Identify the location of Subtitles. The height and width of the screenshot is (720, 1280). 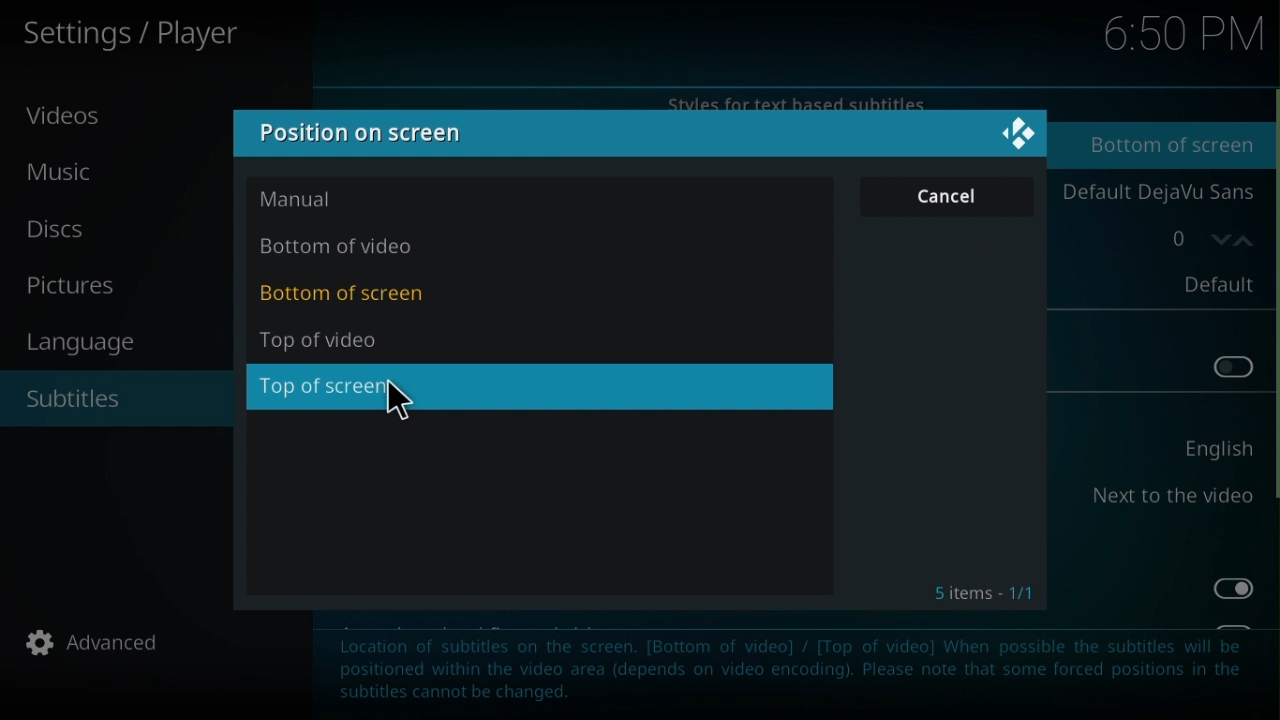
(111, 395).